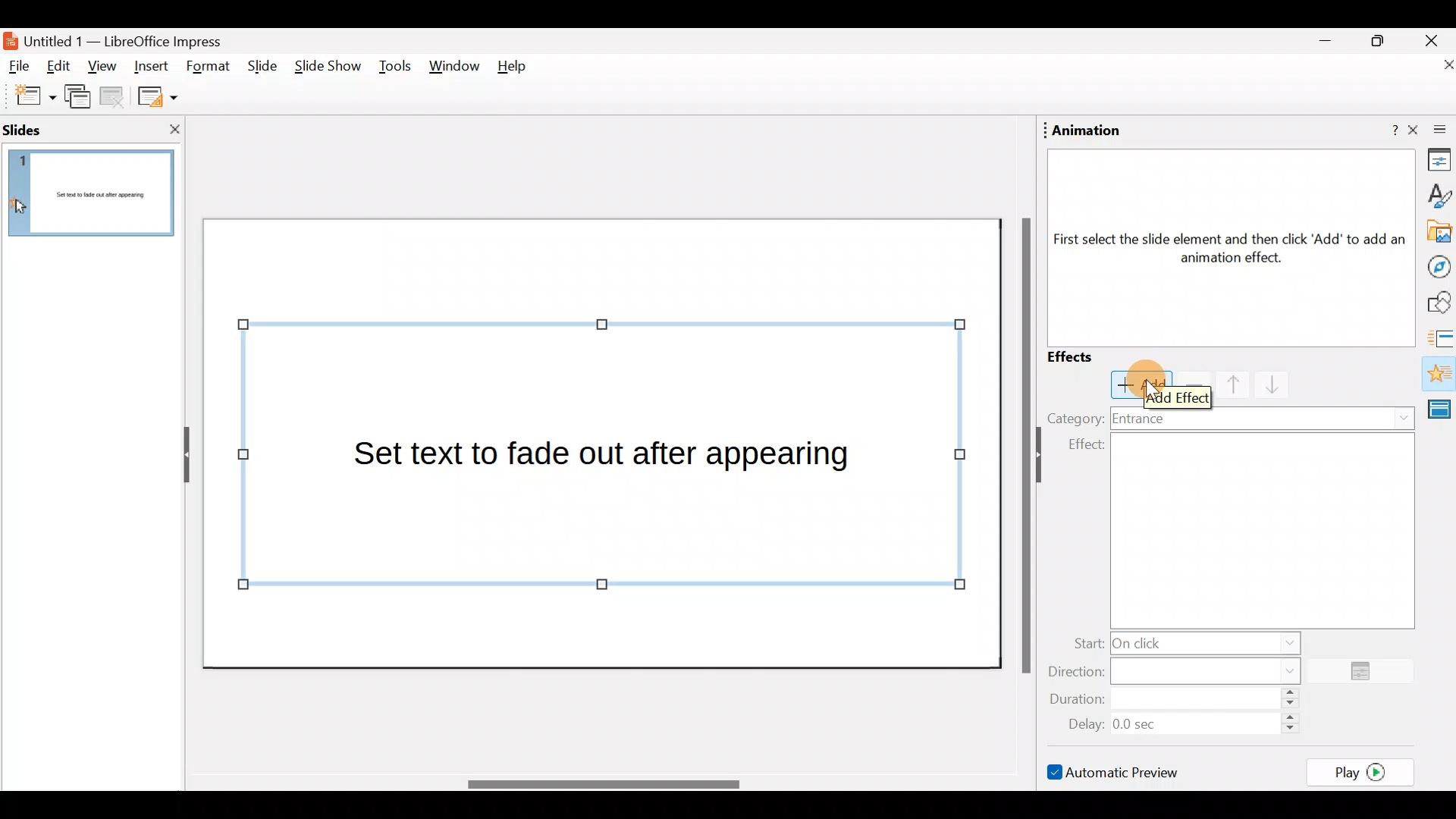  I want to click on Direction, so click(1184, 670).